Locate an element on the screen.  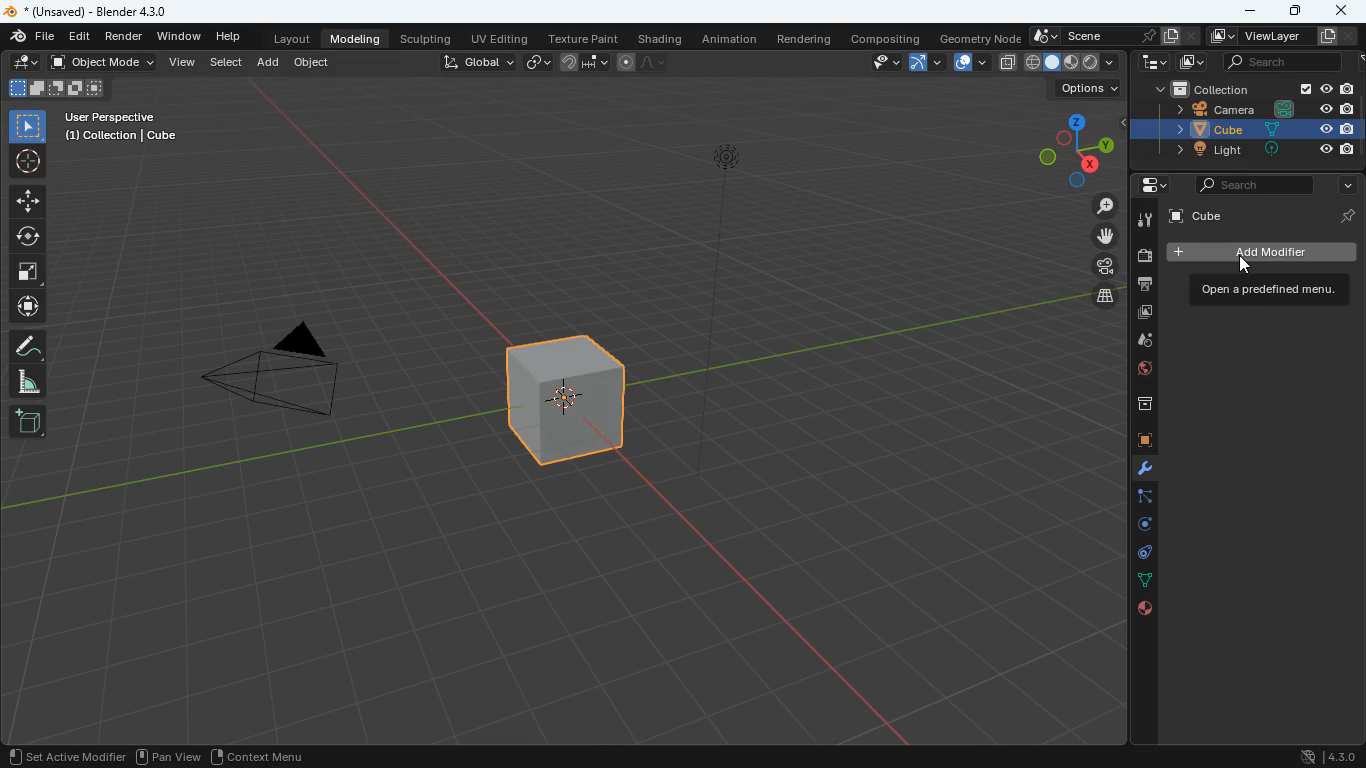
cube is located at coordinates (1259, 130).